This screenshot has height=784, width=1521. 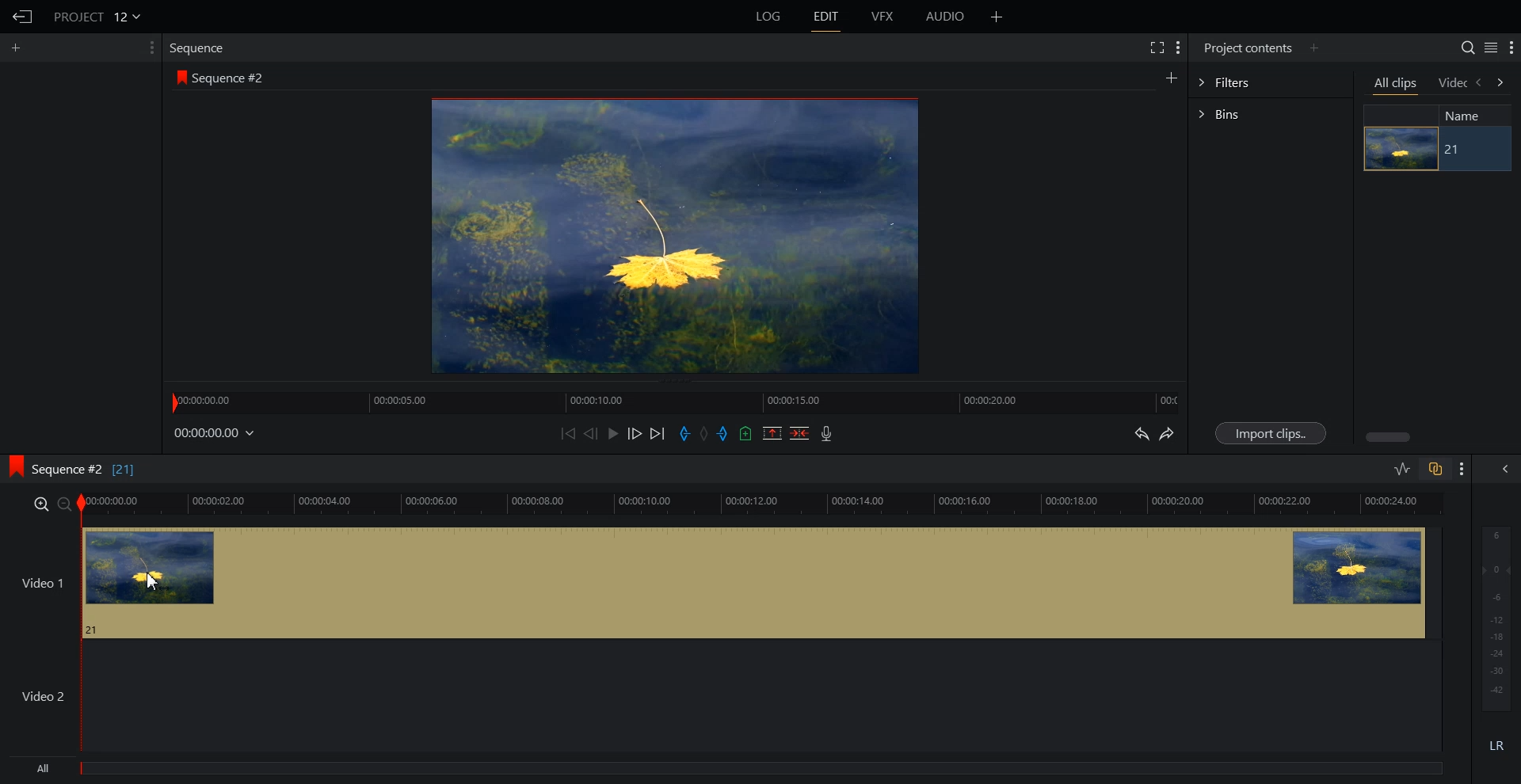 What do you see at coordinates (770, 504) in the screenshot?
I see `Video Slider` at bounding box center [770, 504].